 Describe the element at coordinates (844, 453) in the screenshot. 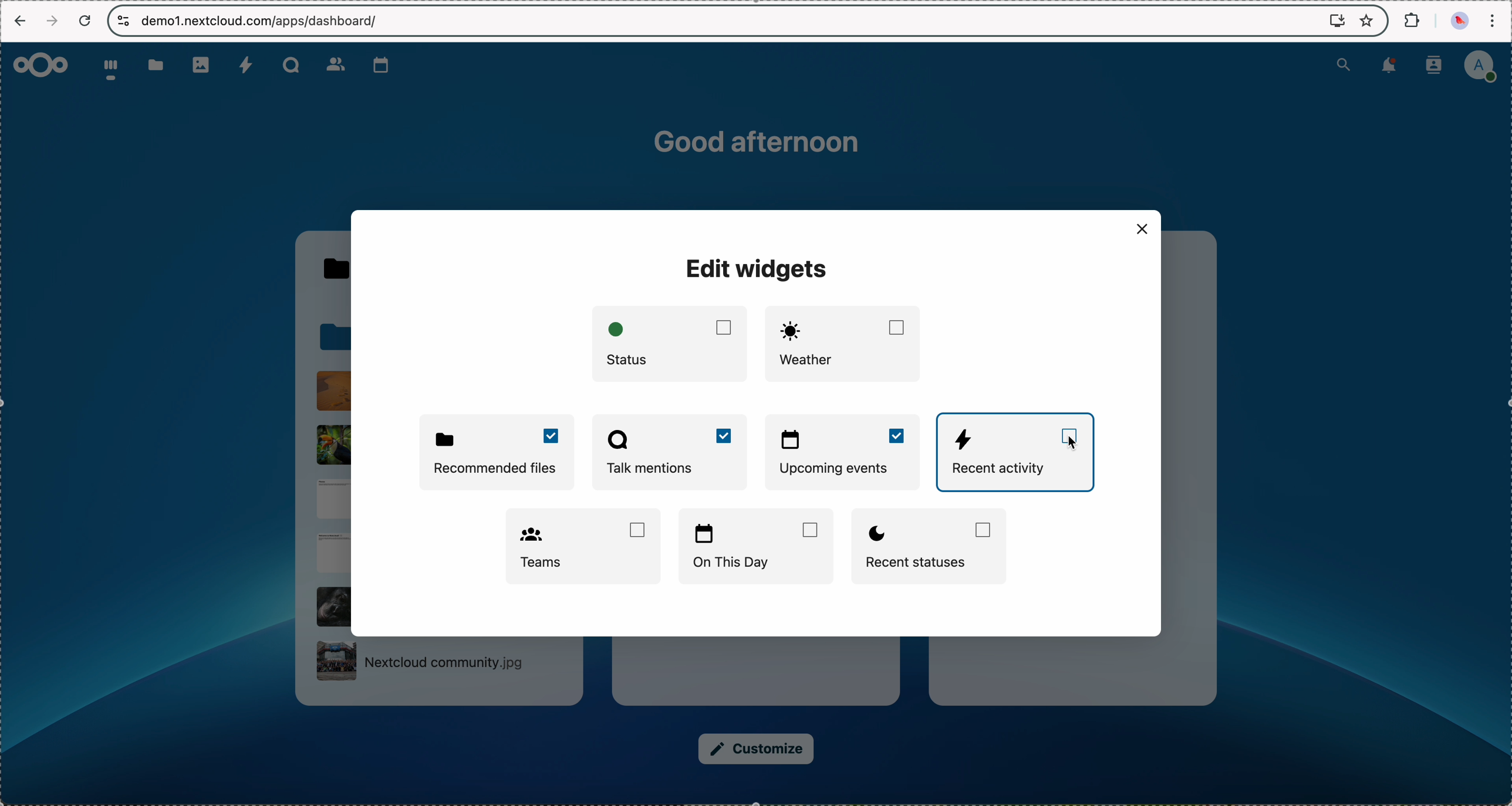

I see `enable upcoming events` at that location.